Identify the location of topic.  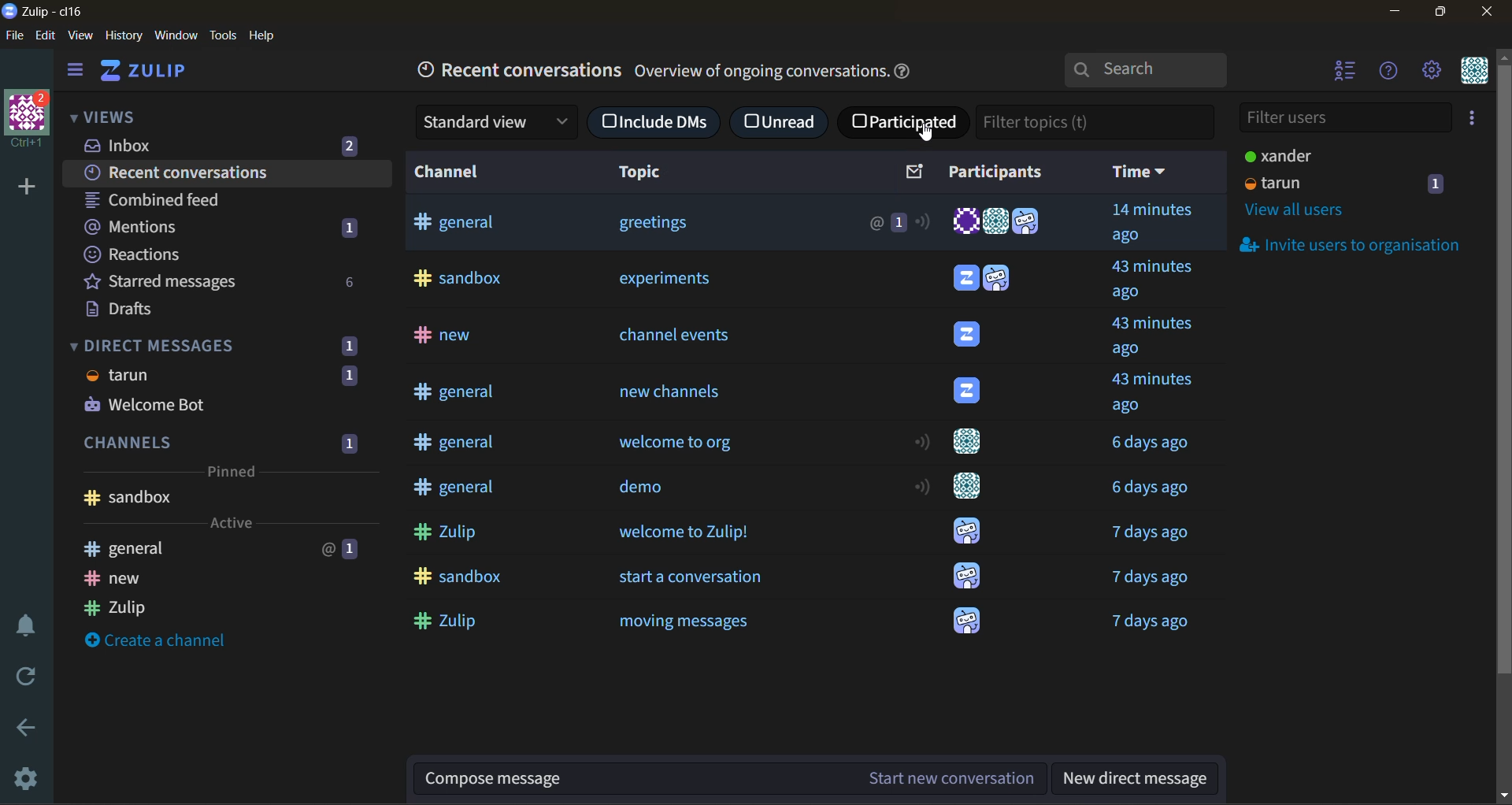
(643, 172).